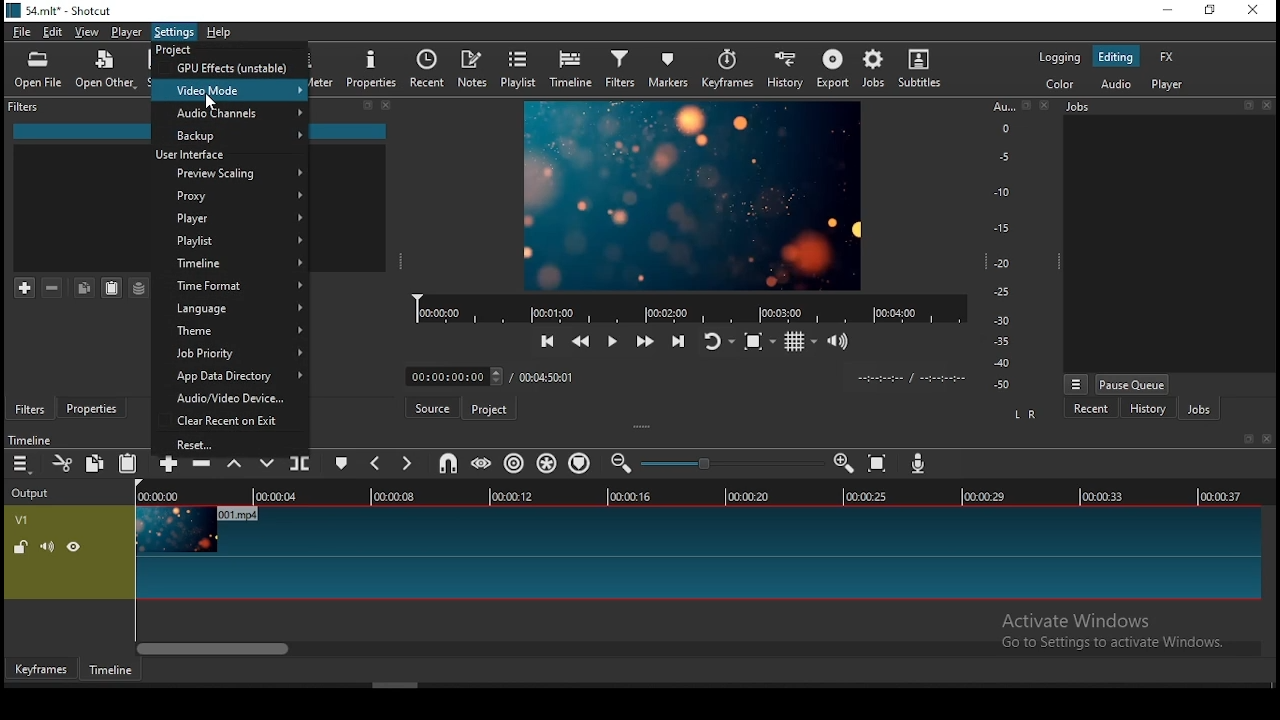  Describe the element at coordinates (545, 379) in the screenshot. I see `total time` at that location.